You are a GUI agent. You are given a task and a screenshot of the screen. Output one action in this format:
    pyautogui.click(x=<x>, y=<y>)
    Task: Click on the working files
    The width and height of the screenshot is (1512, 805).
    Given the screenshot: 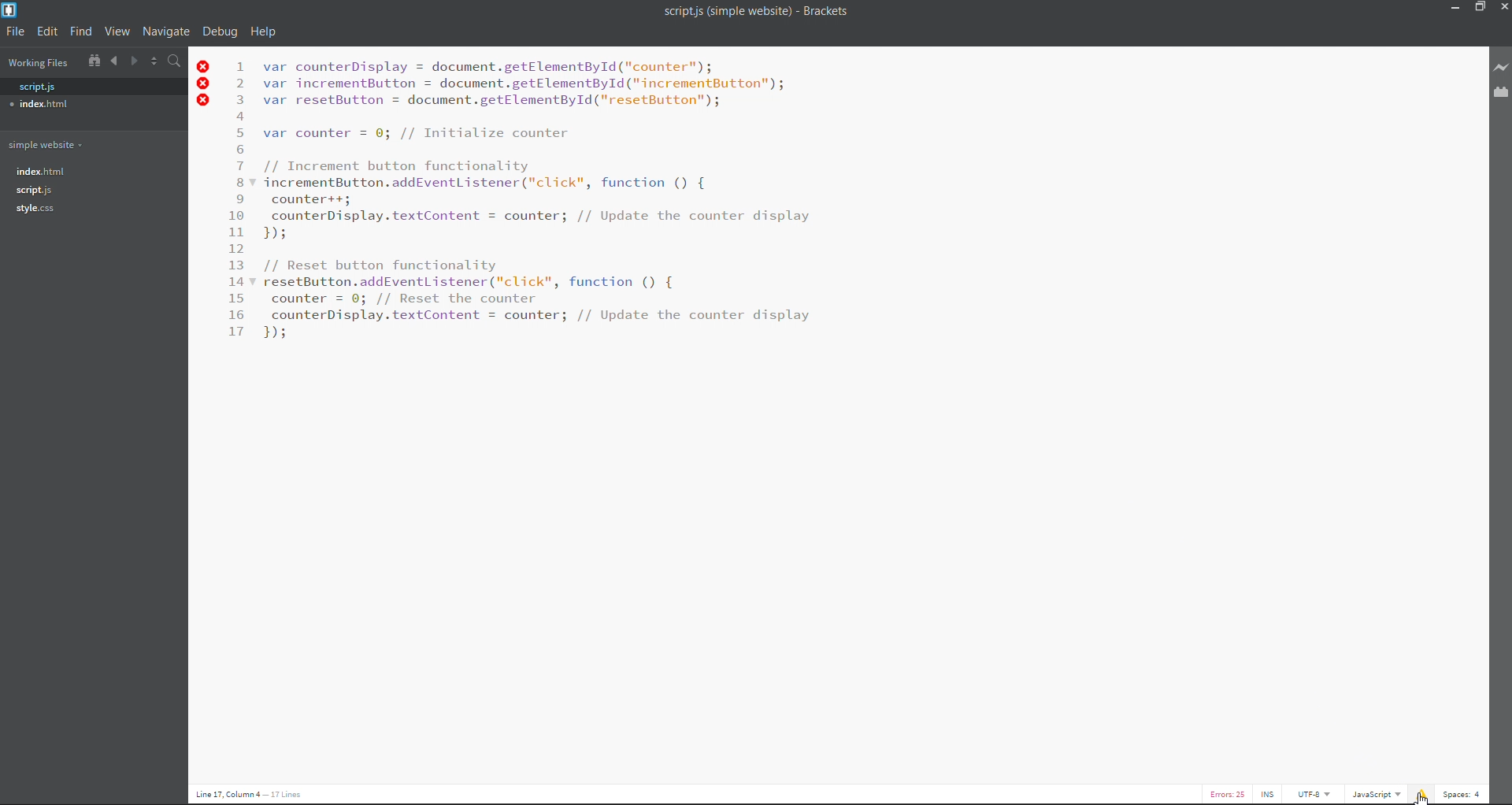 What is the action you would take?
    pyautogui.click(x=36, y=65)
    